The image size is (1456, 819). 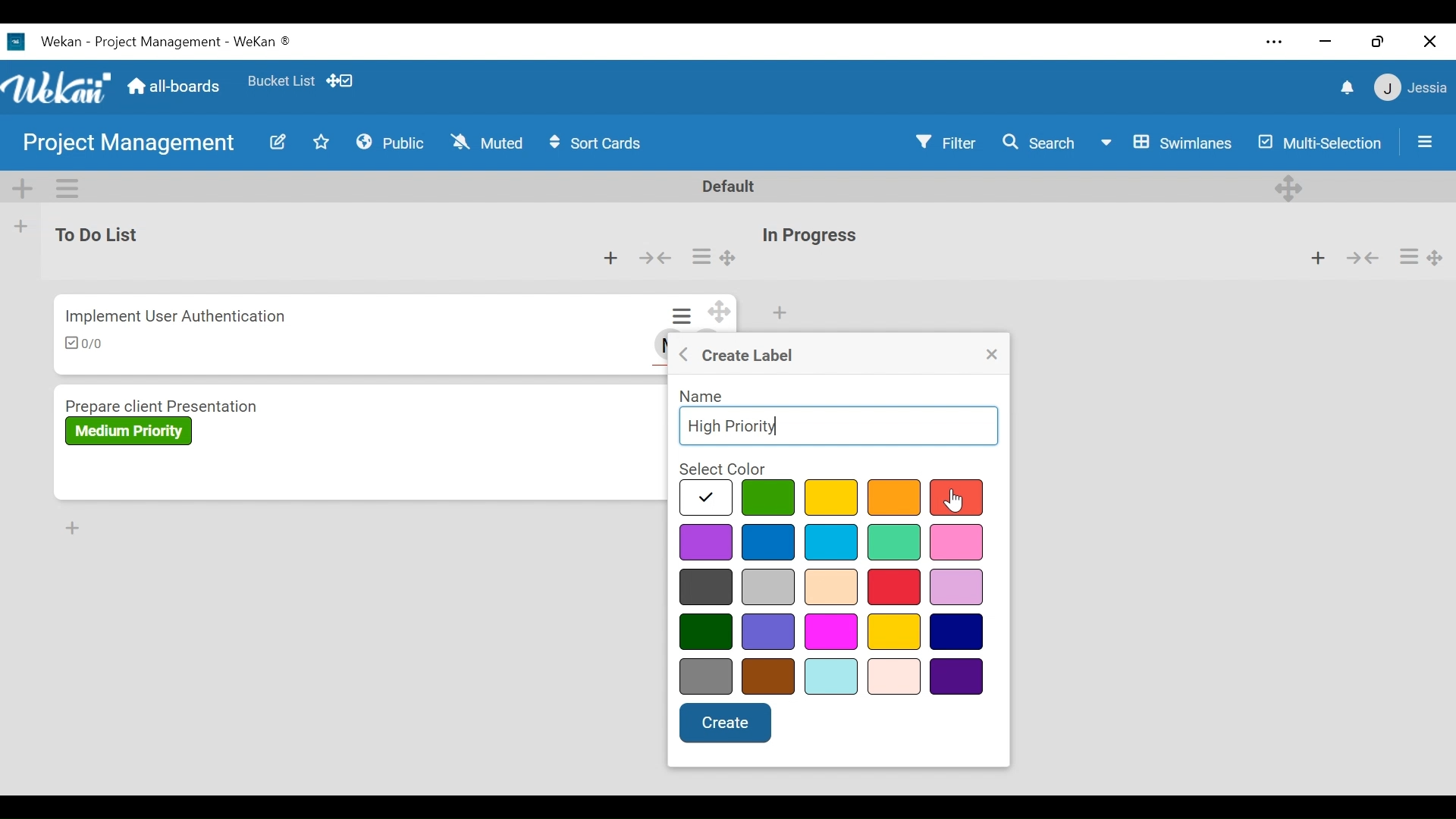 I want to click on Wekan Logo, so click(x=56, y=84).